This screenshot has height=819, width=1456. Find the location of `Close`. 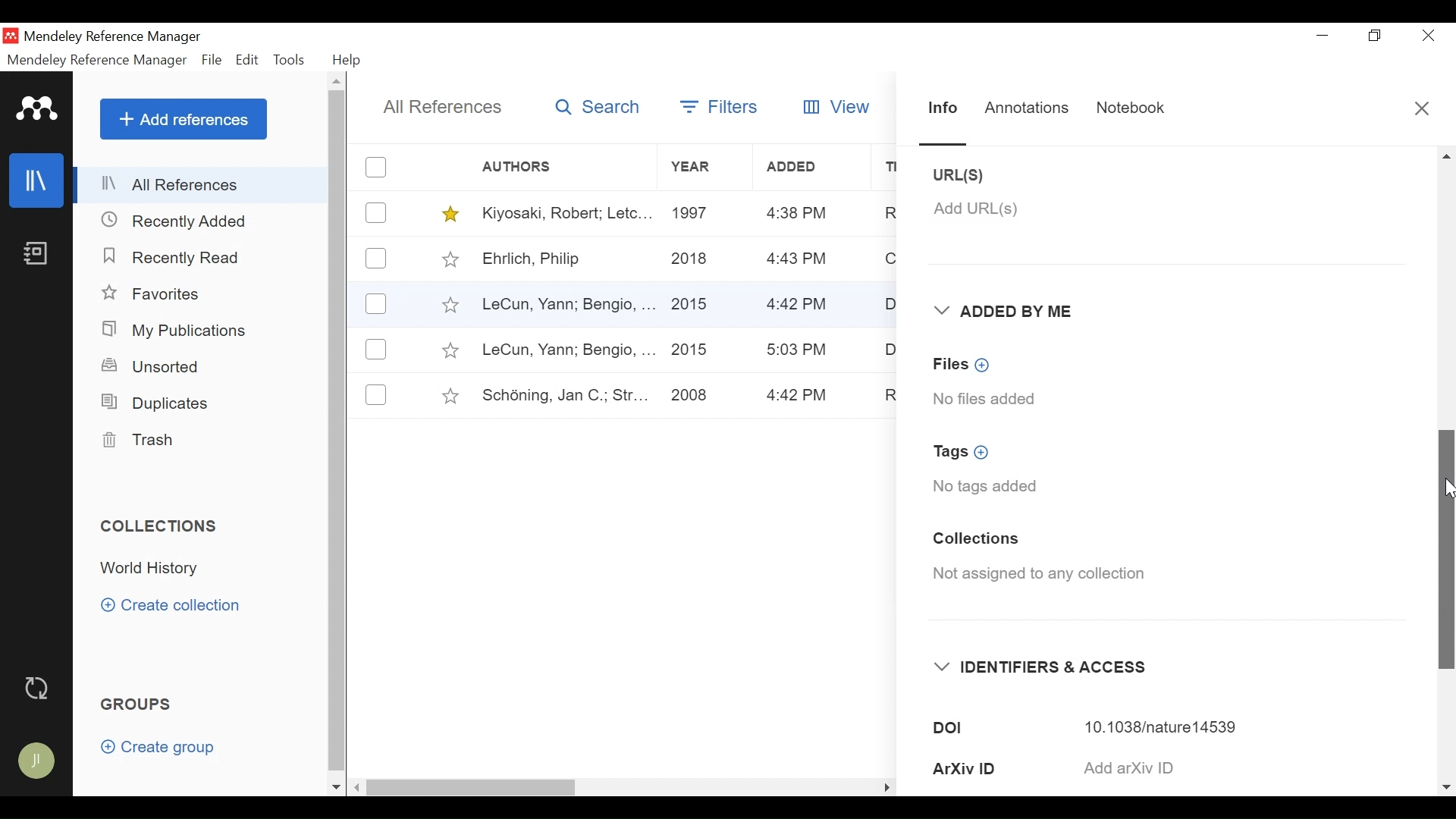

Close is located at coordinates (1428, 36).